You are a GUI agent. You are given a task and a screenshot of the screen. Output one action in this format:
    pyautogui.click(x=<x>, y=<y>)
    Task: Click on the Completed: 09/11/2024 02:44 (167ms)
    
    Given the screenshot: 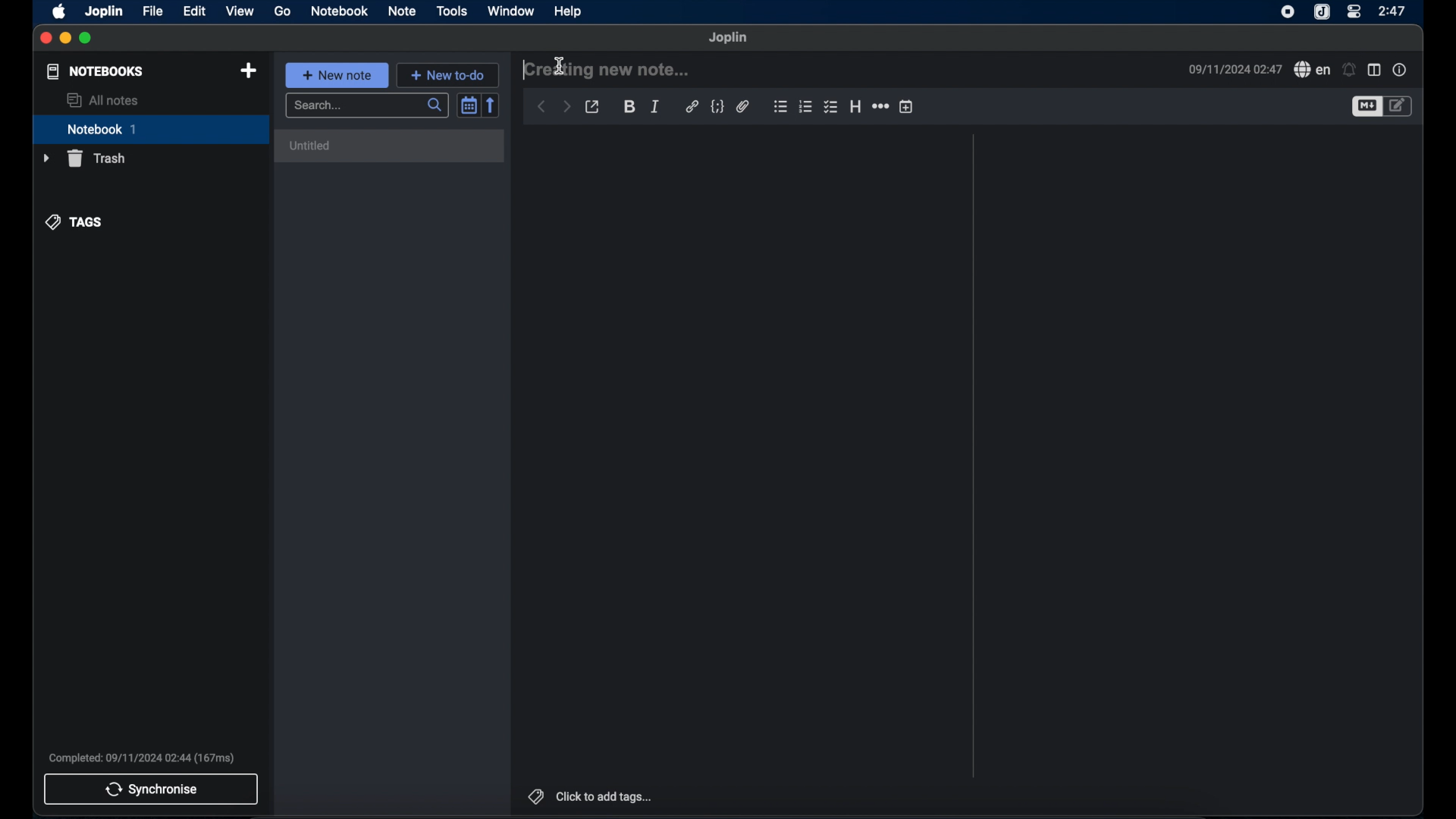 What is the action you would take?
    pyautogui.click(x=142, y=759)
    